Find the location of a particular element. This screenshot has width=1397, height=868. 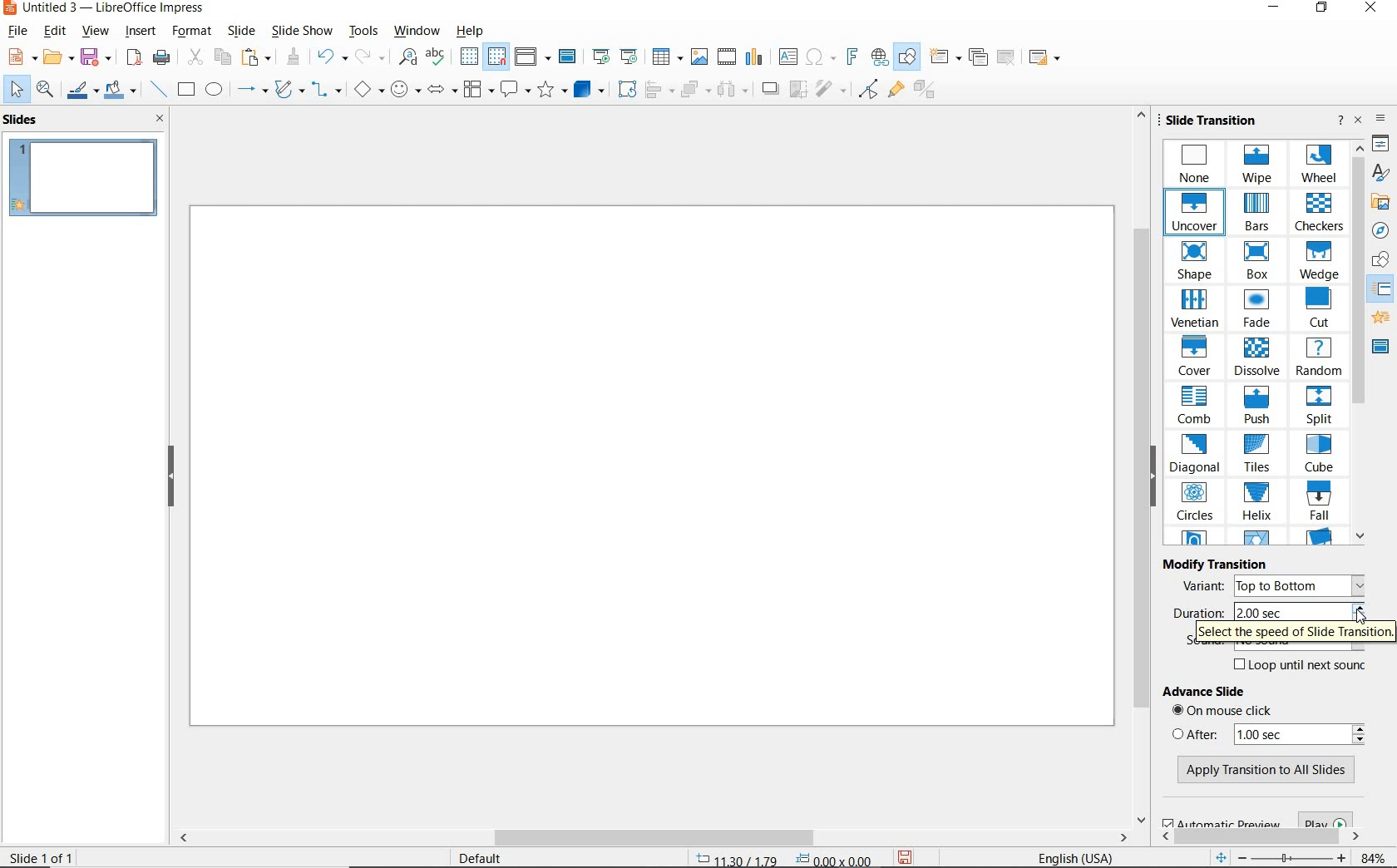

SHOW DRAW FUNCTIONS is located at coordinates (910, 57).